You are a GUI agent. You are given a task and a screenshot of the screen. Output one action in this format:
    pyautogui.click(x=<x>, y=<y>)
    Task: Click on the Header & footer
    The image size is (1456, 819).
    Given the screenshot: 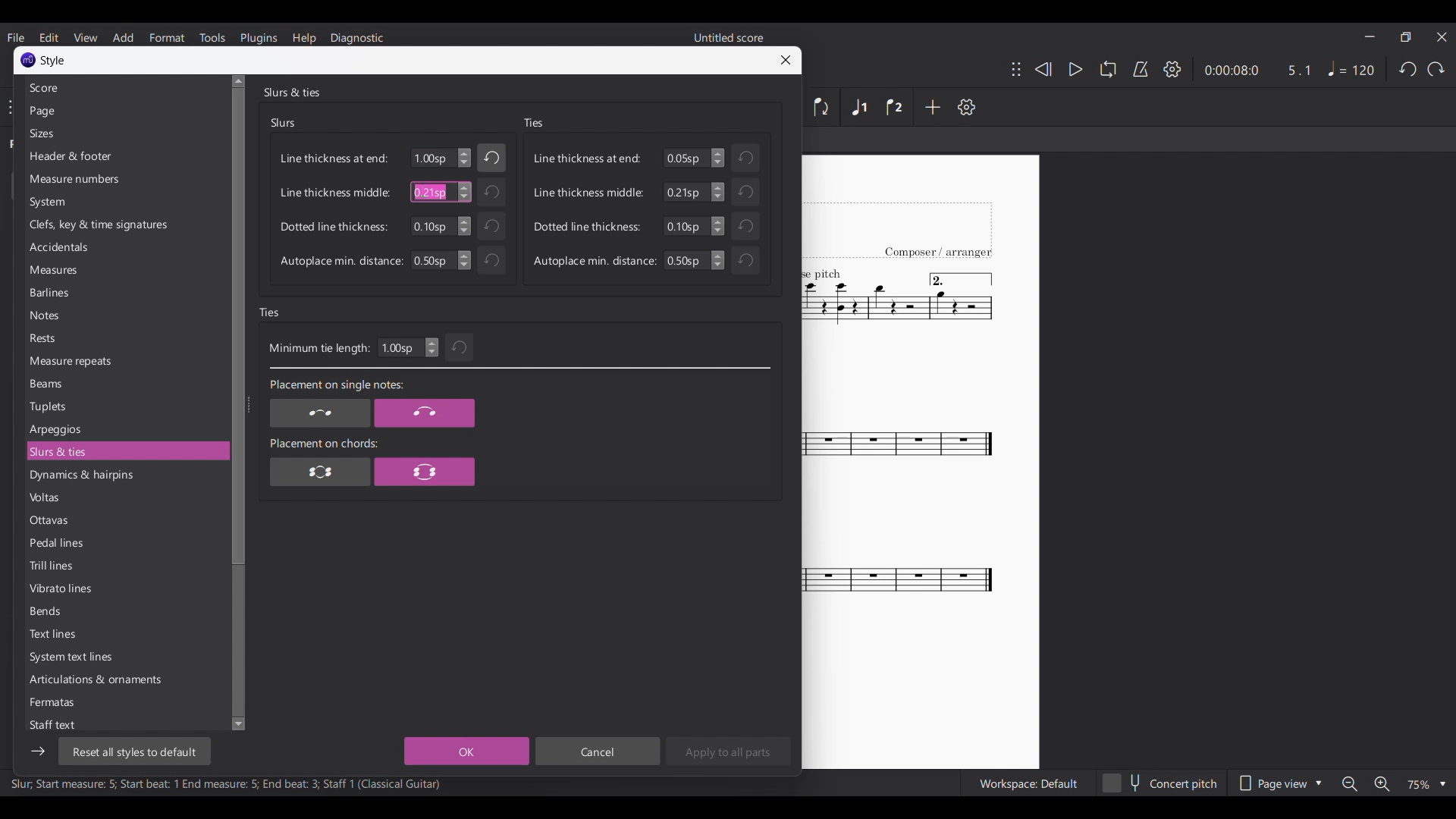 What is the action you would take?
    pyautogui.click(x=125, y=156)
    